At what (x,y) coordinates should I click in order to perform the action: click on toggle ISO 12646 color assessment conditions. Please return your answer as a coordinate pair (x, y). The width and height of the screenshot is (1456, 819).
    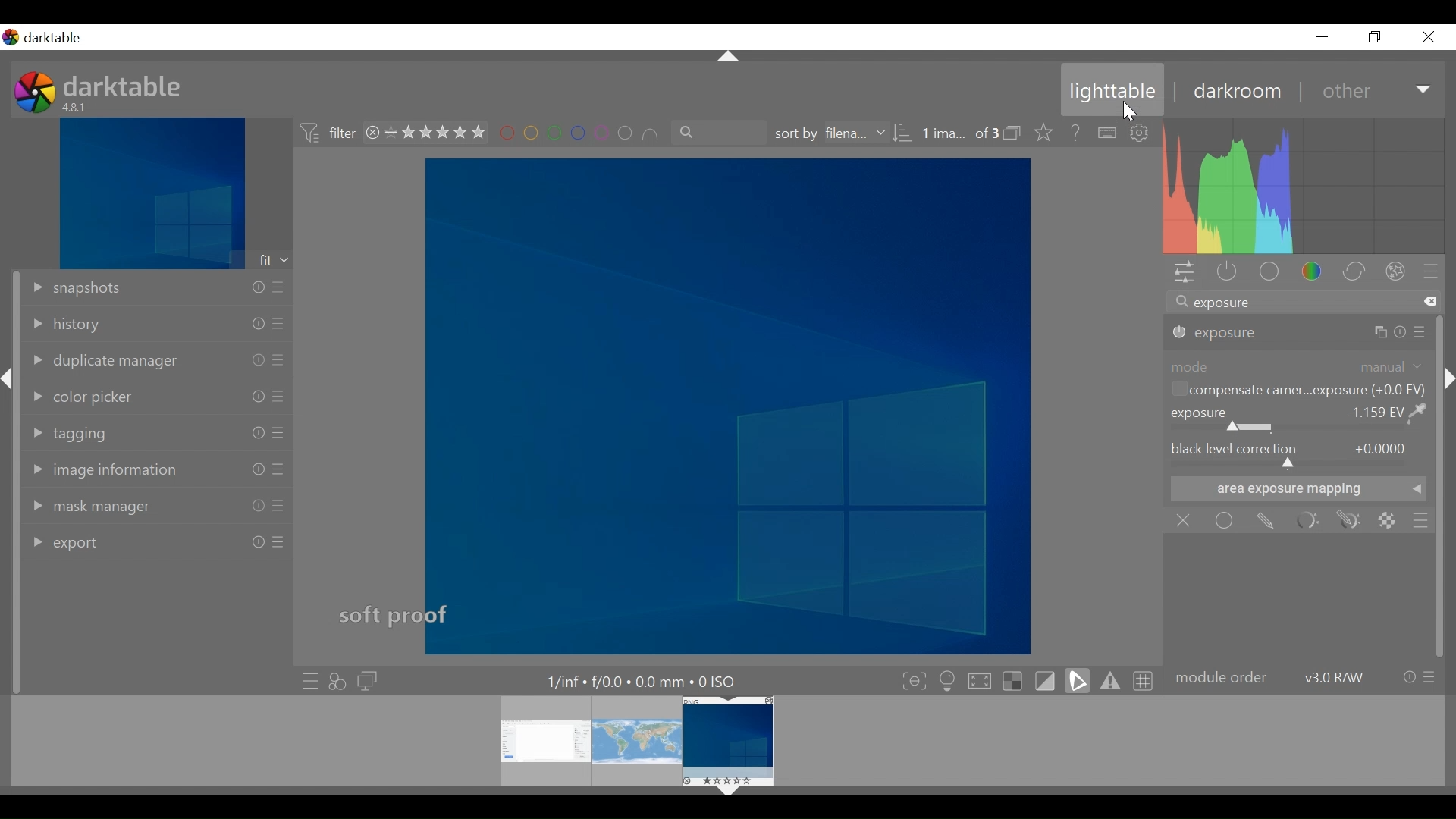
    Looking at the image, I should click on (946, 679).